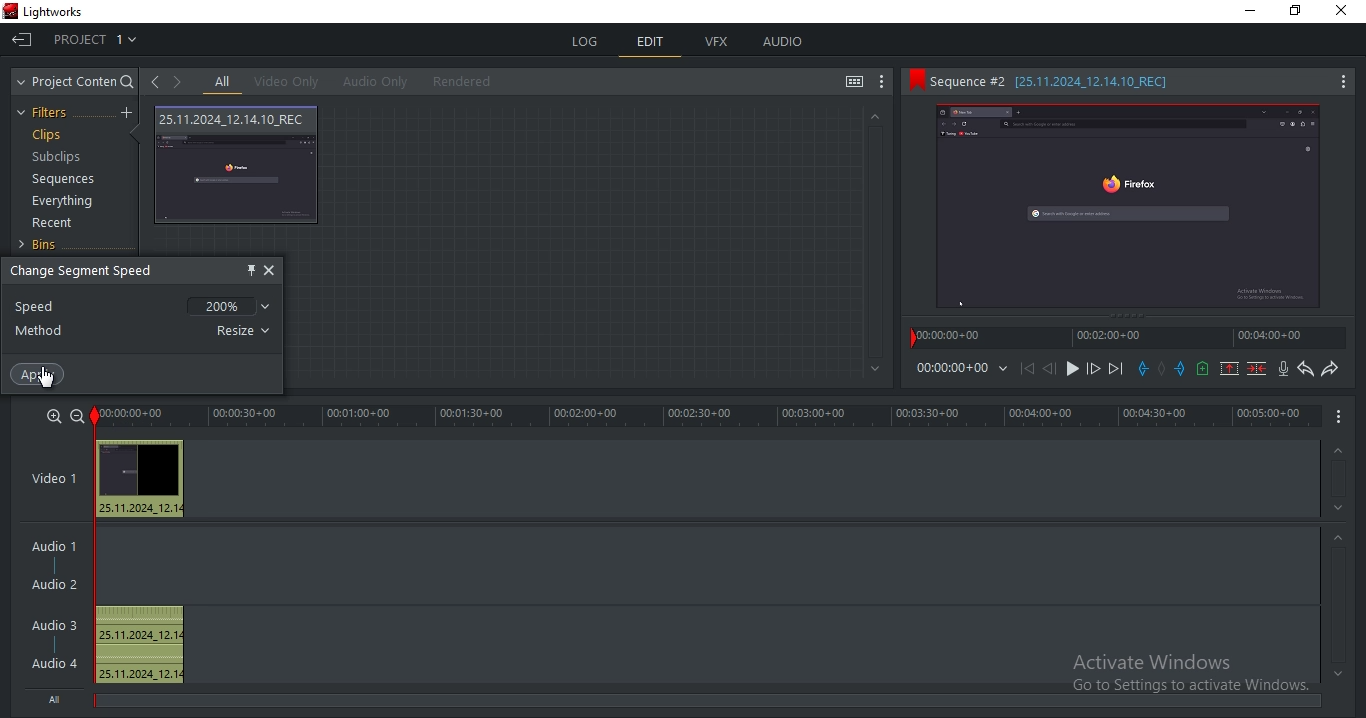 The width and height of the screenshot is (1366, 718). What do you see at coordinates (1092, 369) in the screenshot?
I see `nudge one frame forward` at bounding box center [1092, 369].